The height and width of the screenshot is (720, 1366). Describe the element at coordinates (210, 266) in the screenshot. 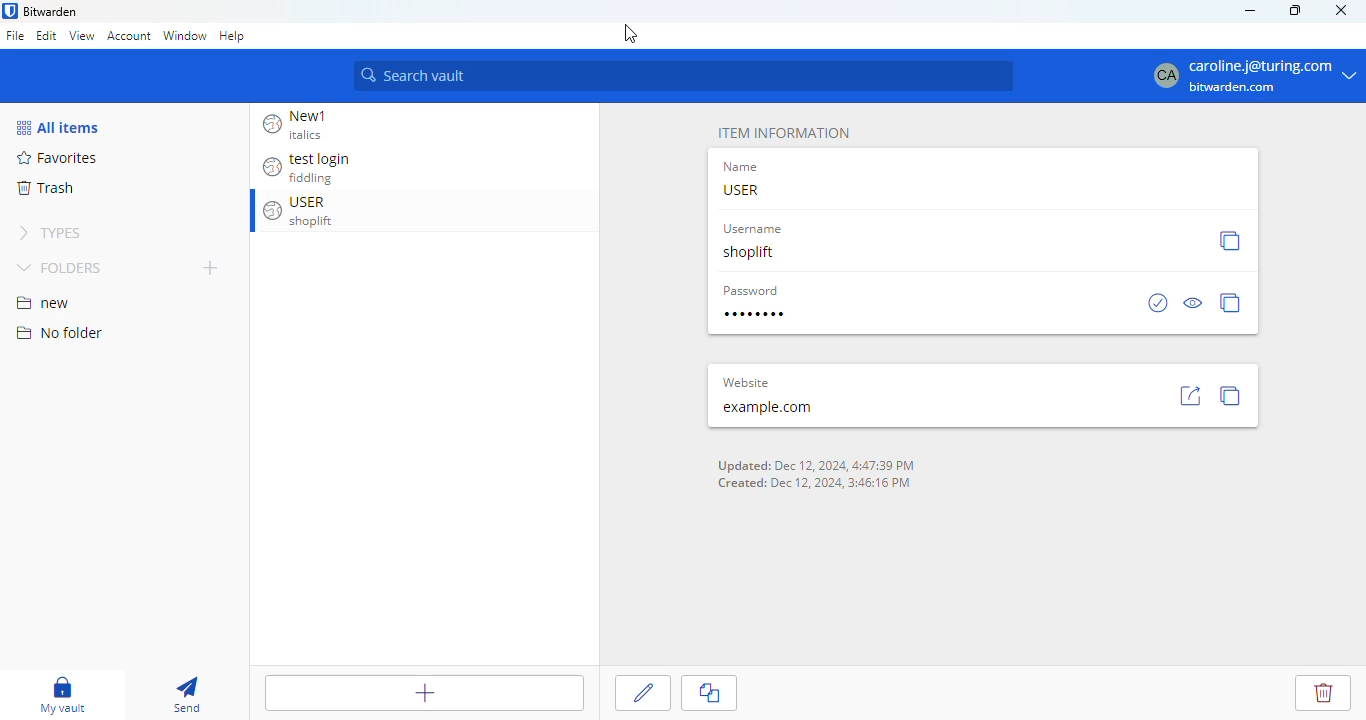

I see `new folder` at that location.